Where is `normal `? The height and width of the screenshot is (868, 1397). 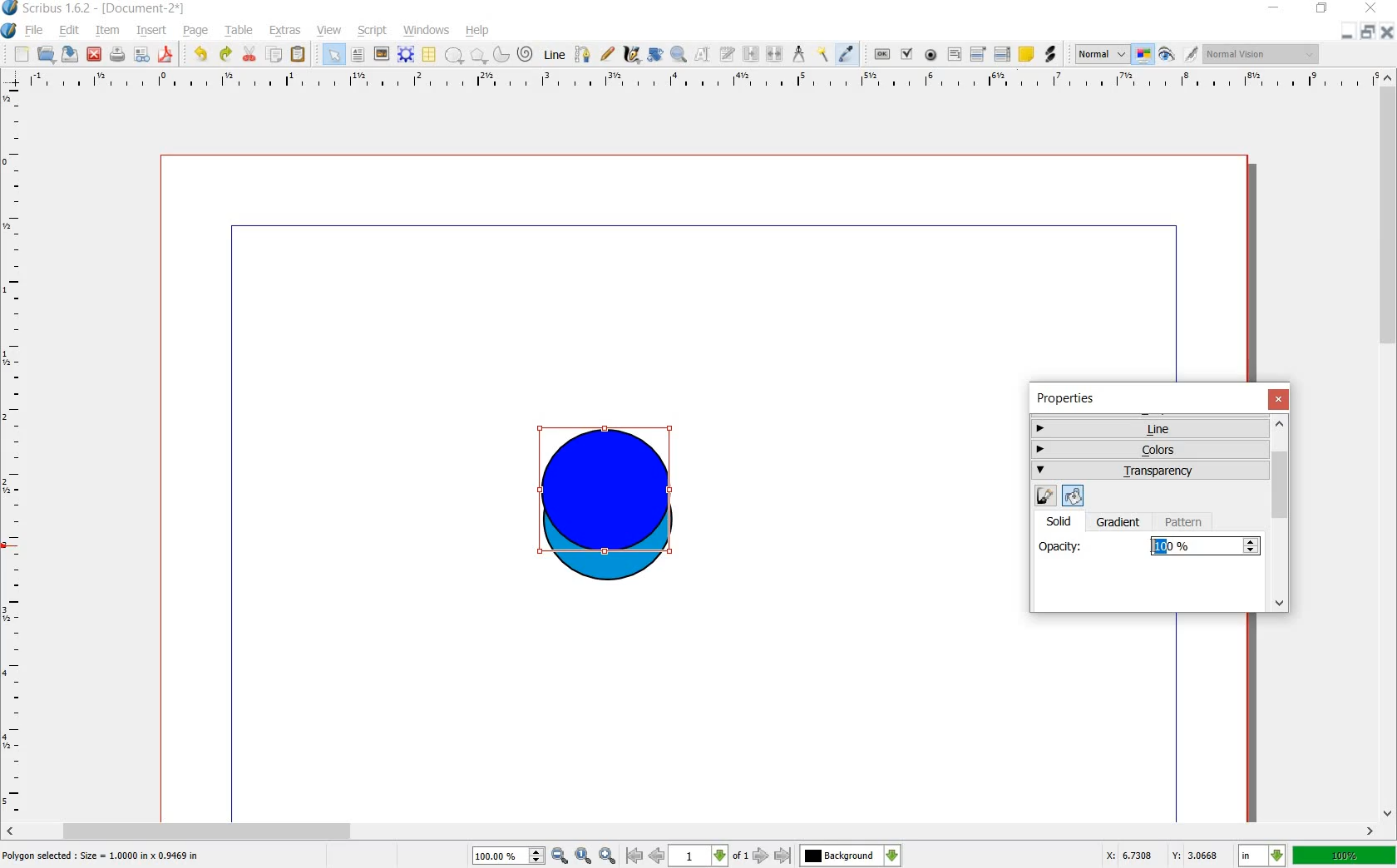 normal  is located at coordinates (1099, 54).